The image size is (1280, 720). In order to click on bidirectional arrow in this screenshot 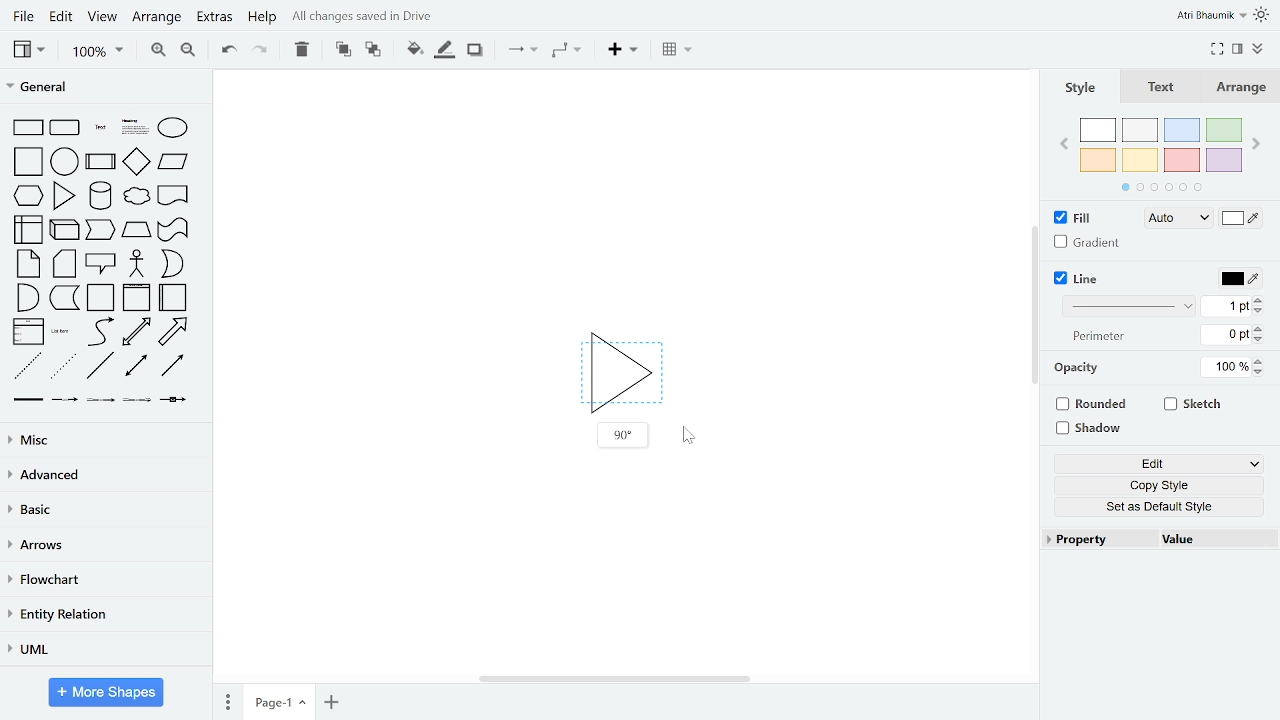, I will do `click(136, 332)`.